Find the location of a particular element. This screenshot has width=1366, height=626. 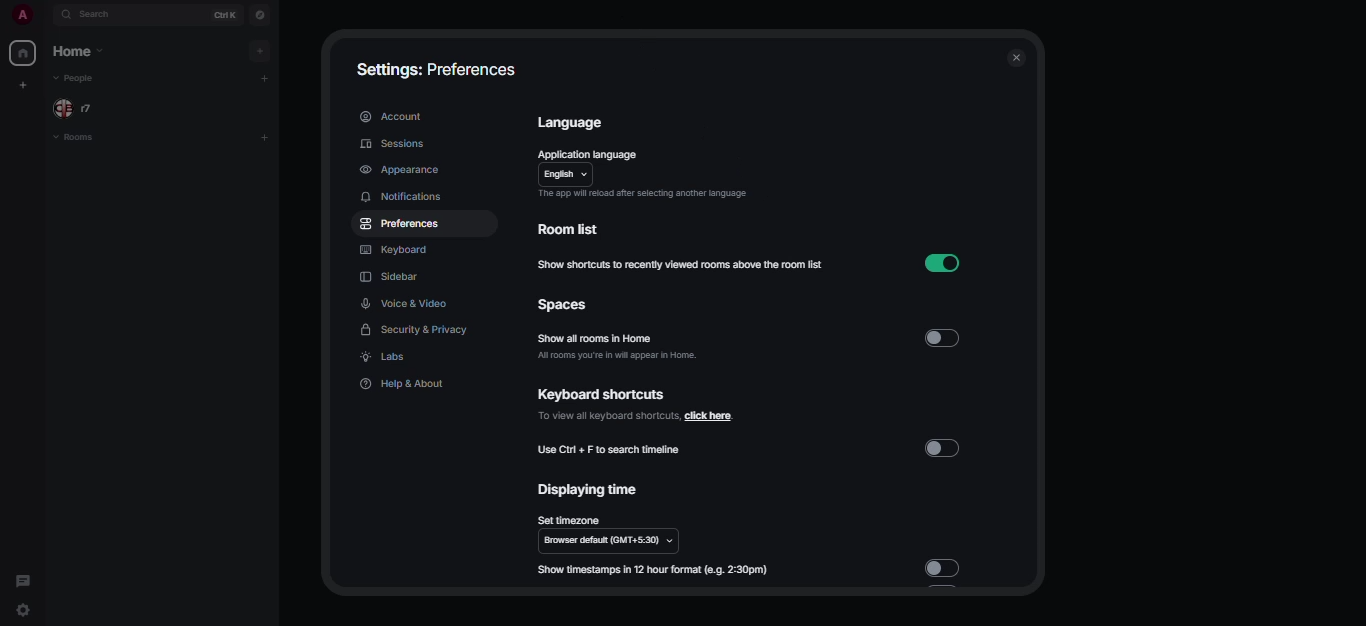

create myspace is located at coordinates (25, 85).